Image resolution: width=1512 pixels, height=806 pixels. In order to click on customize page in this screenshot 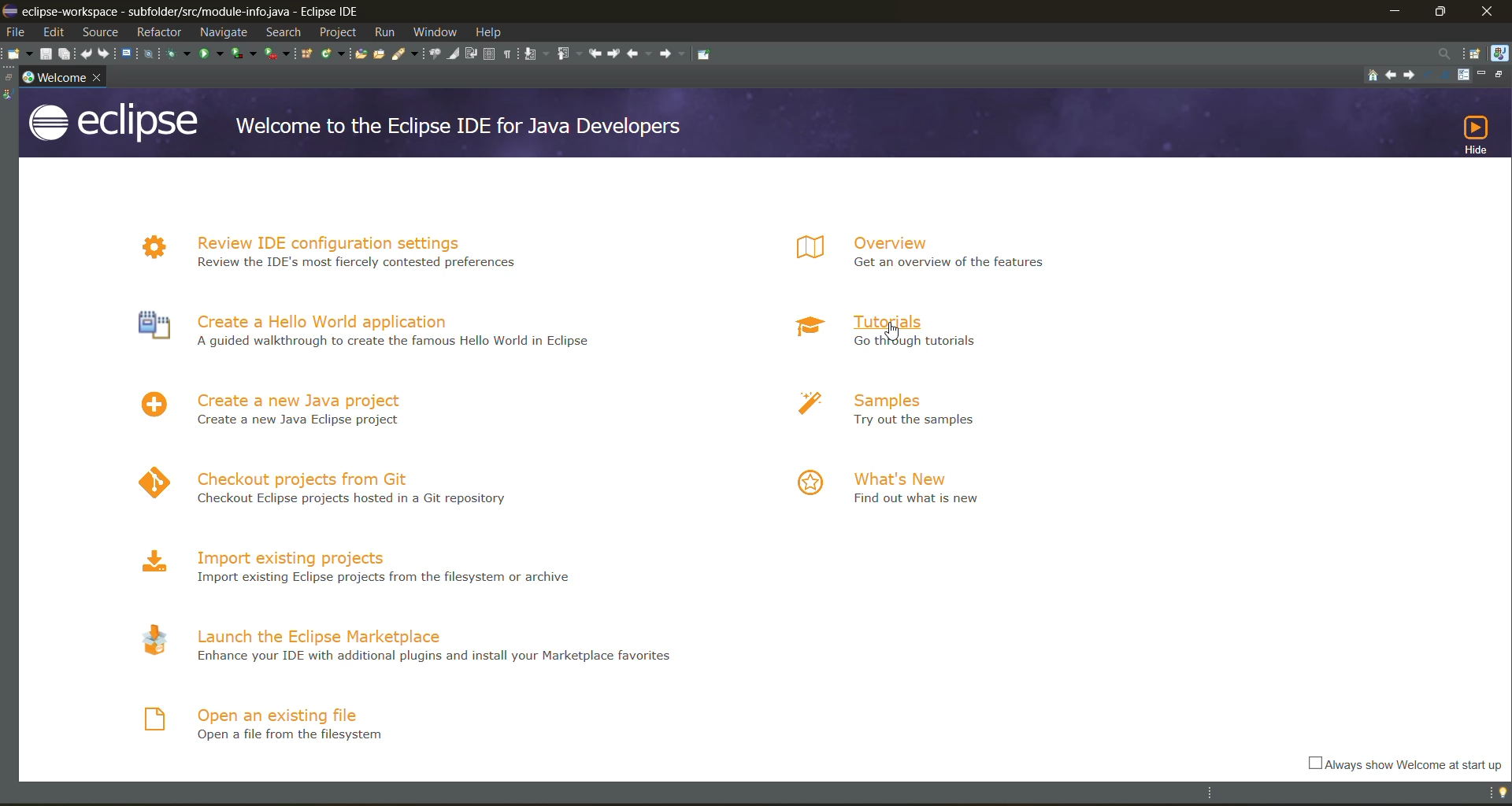, I will do `click(1463, 77)`.